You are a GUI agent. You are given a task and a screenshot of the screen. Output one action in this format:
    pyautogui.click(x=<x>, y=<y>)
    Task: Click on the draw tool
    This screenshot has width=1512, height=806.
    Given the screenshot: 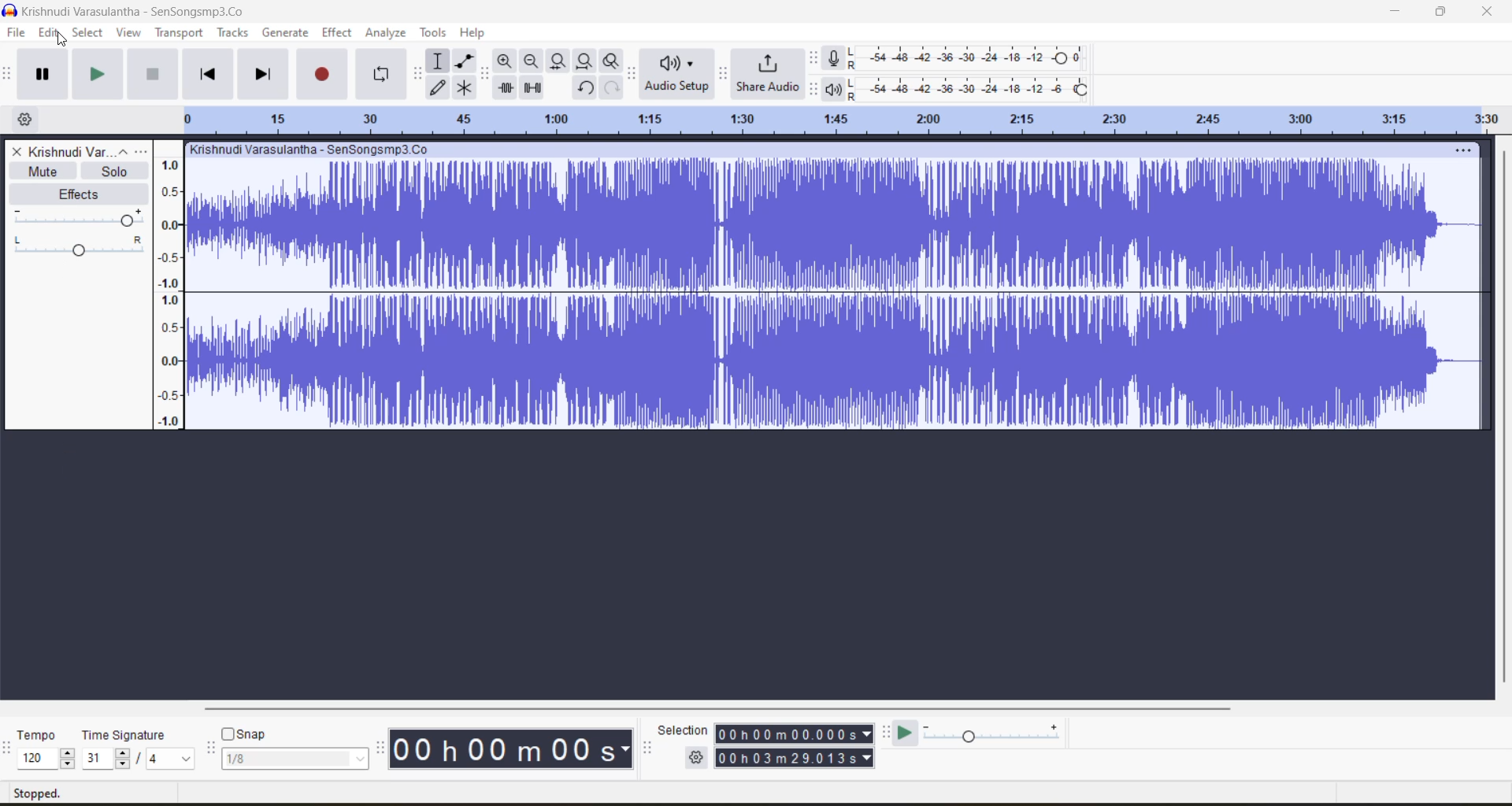 What is the action you would take?
    pyautogui.click(x=439, y=87)
    